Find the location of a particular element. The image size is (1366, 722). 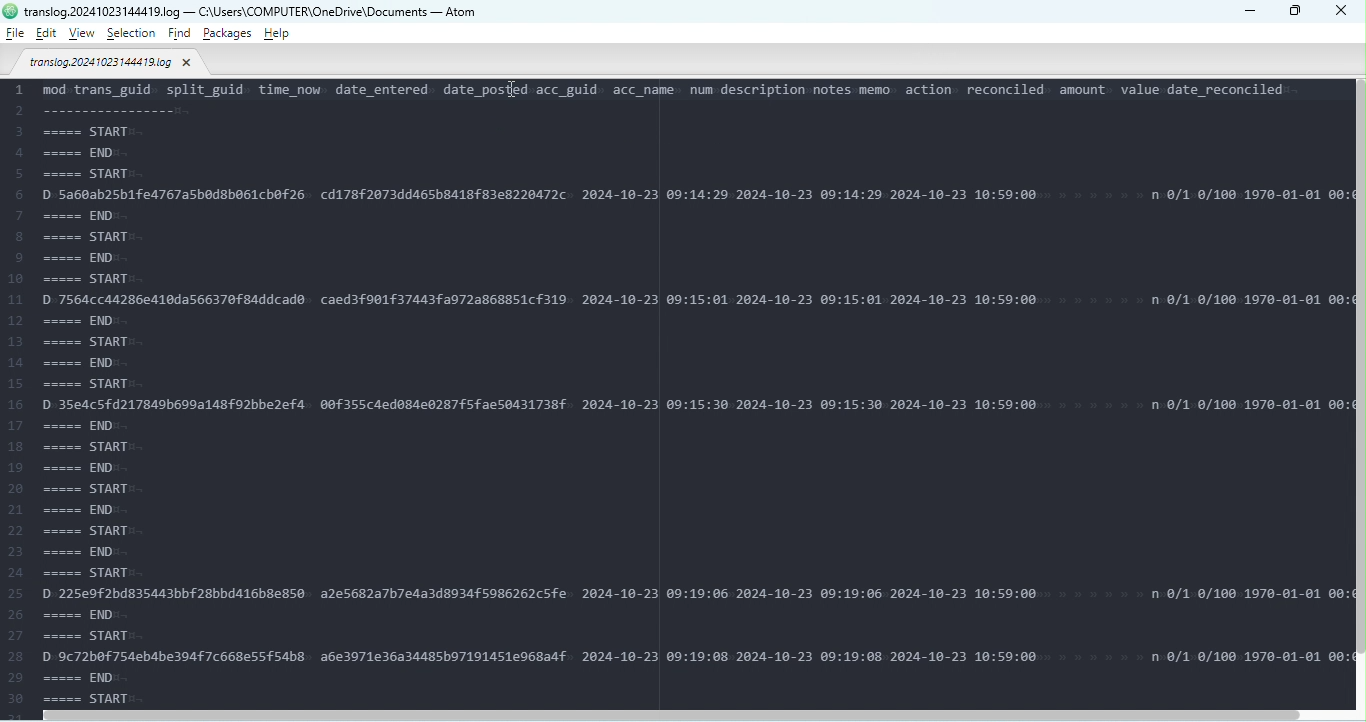

Help is located at coordinates (276, 33).